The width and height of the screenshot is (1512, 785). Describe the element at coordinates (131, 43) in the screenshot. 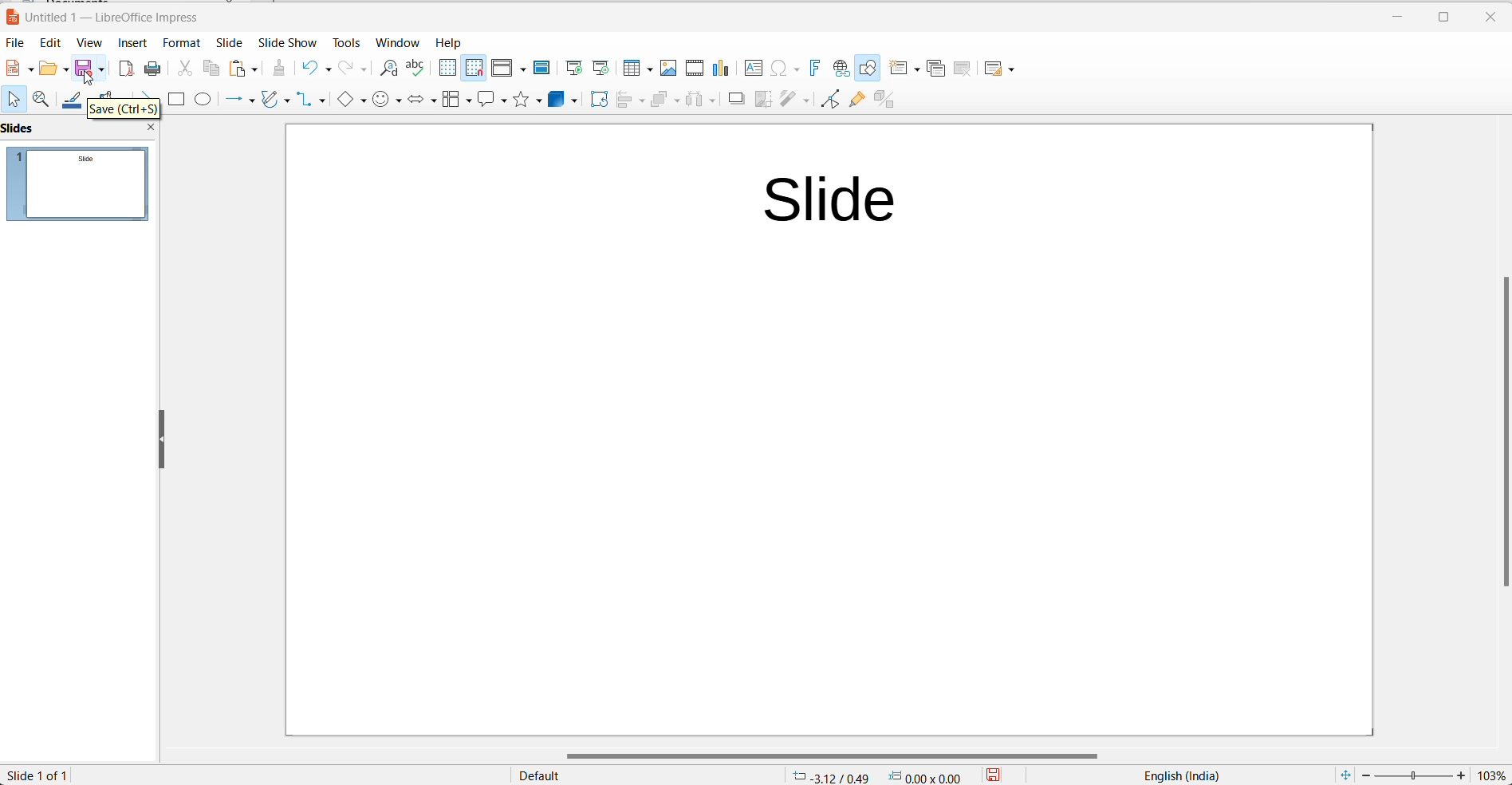

I see `insert` at that location.